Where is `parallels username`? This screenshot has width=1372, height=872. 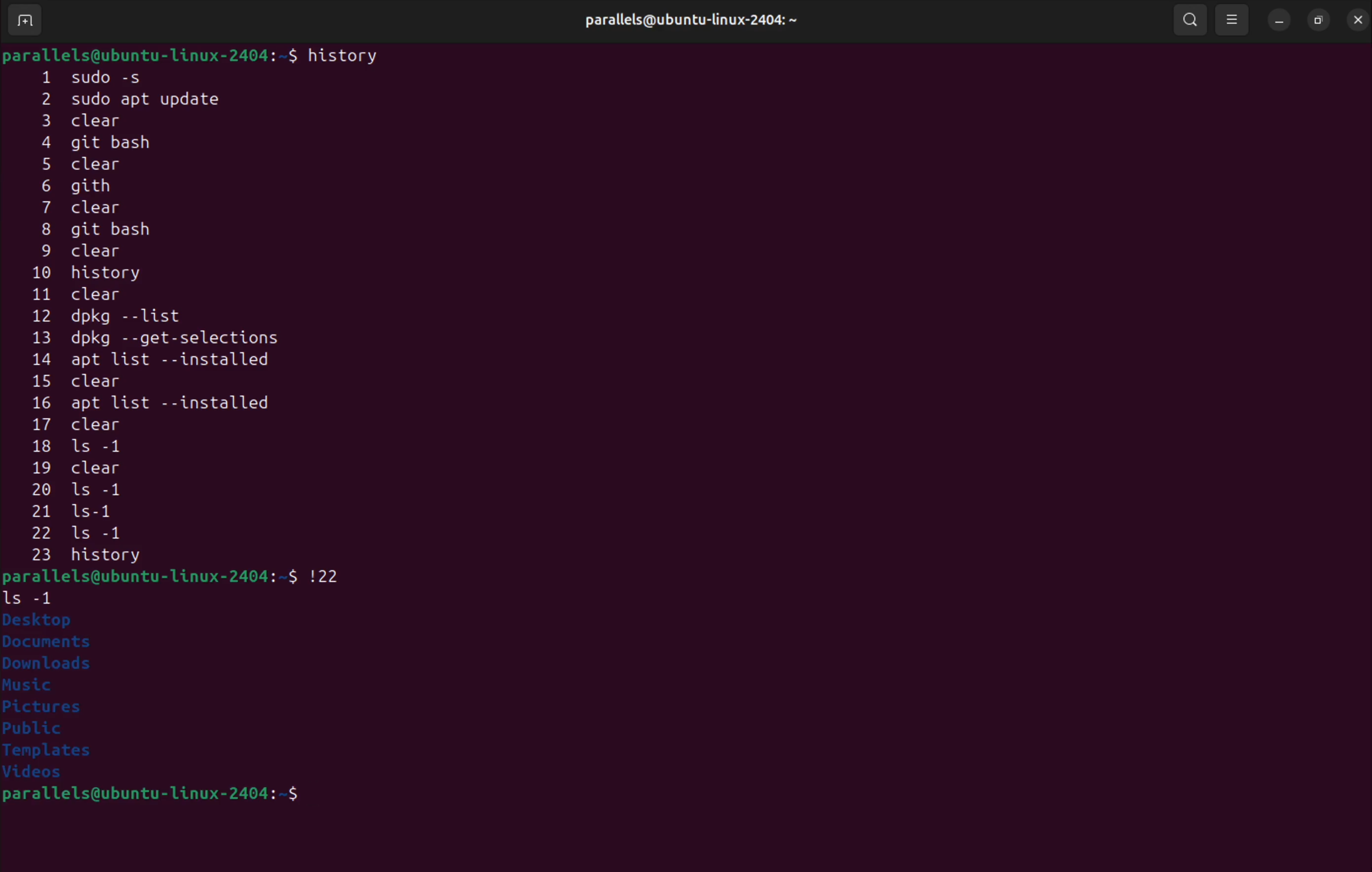 parallels username is located at coordinates (699, 18).